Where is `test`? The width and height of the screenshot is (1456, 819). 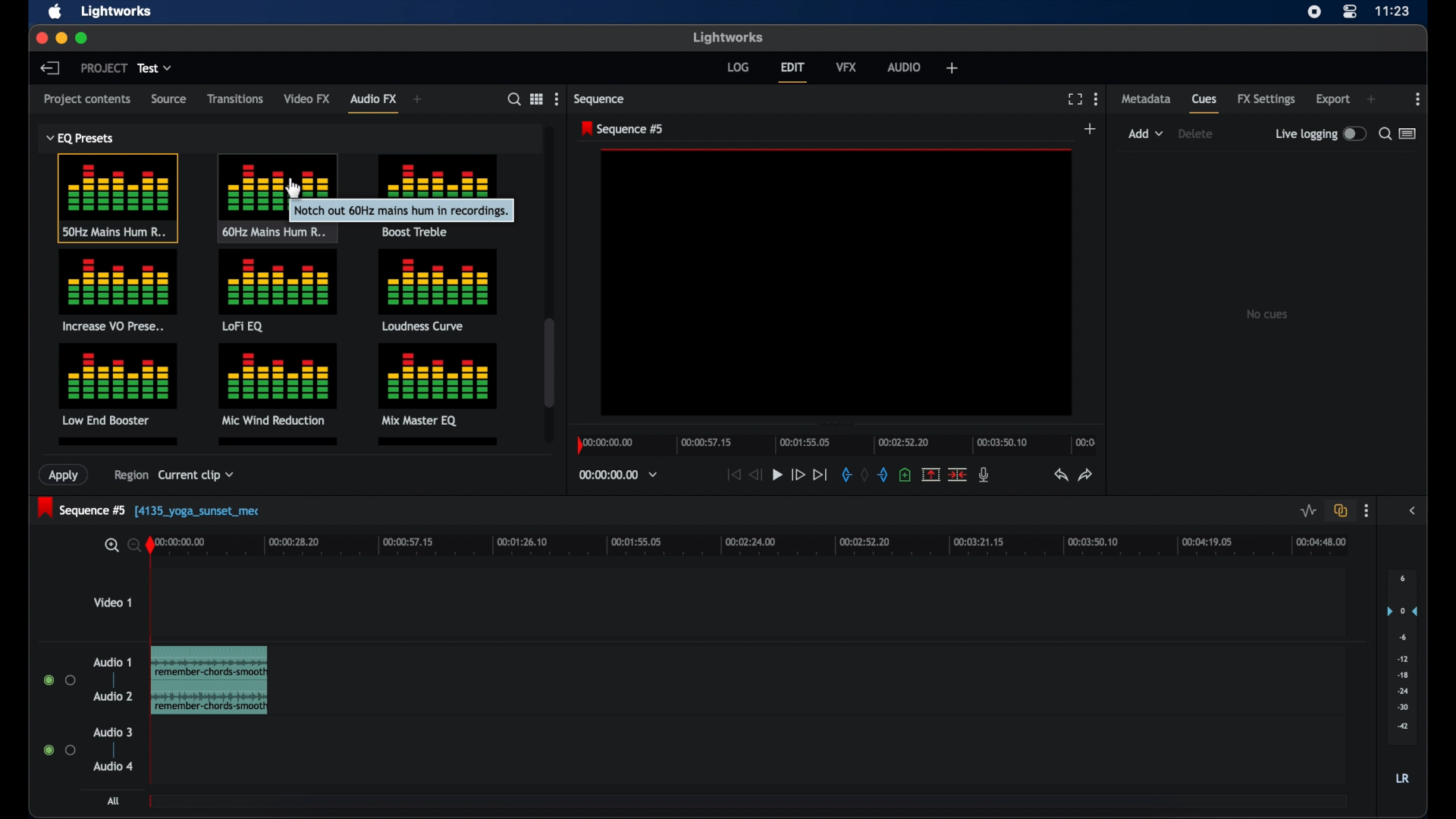
test is located at coordinates (155, 68).